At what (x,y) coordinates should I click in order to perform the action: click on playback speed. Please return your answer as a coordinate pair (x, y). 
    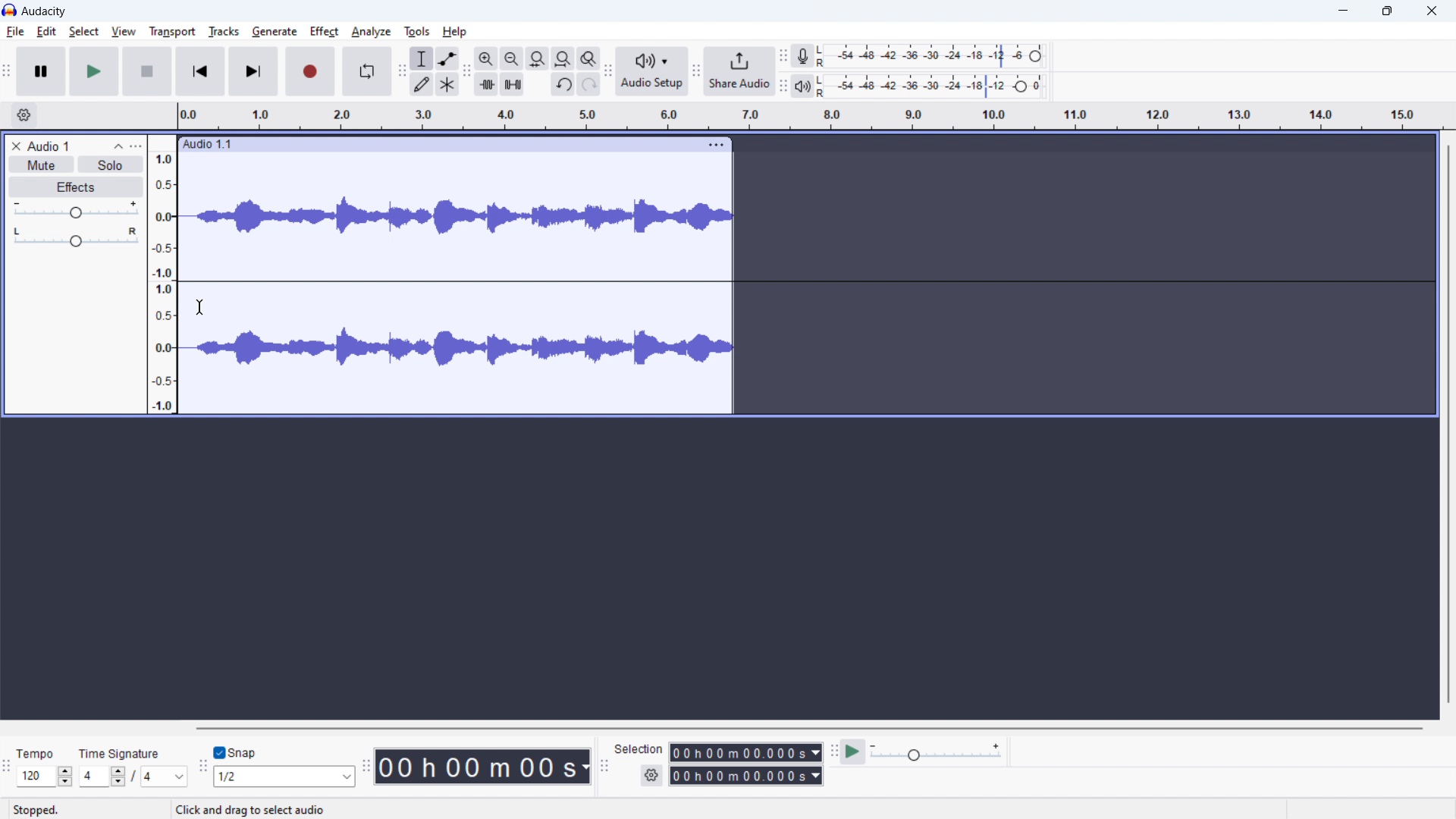
    Looking at the image, I should click on (937, 752).